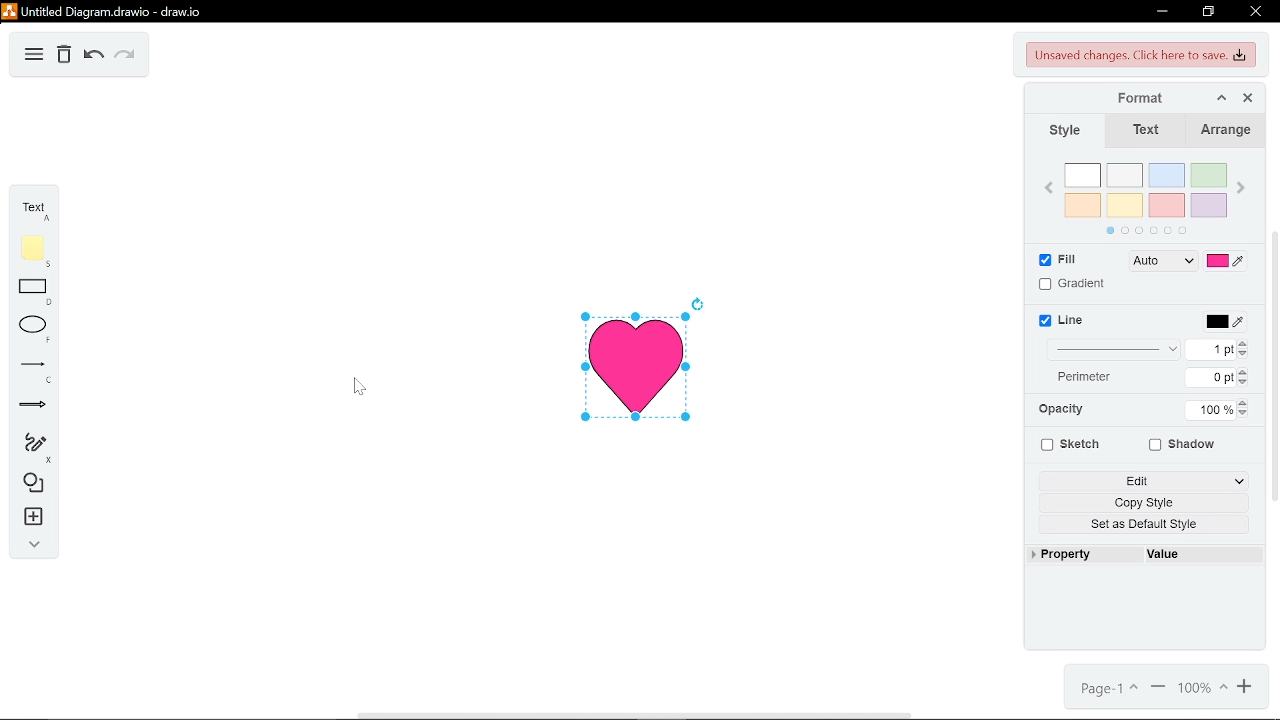 The image size is (1280, 720). Describe the element at coordinates (105, 11) in the screenshot. I see `Untitled Diagram.drawio - draw.io` at that location.